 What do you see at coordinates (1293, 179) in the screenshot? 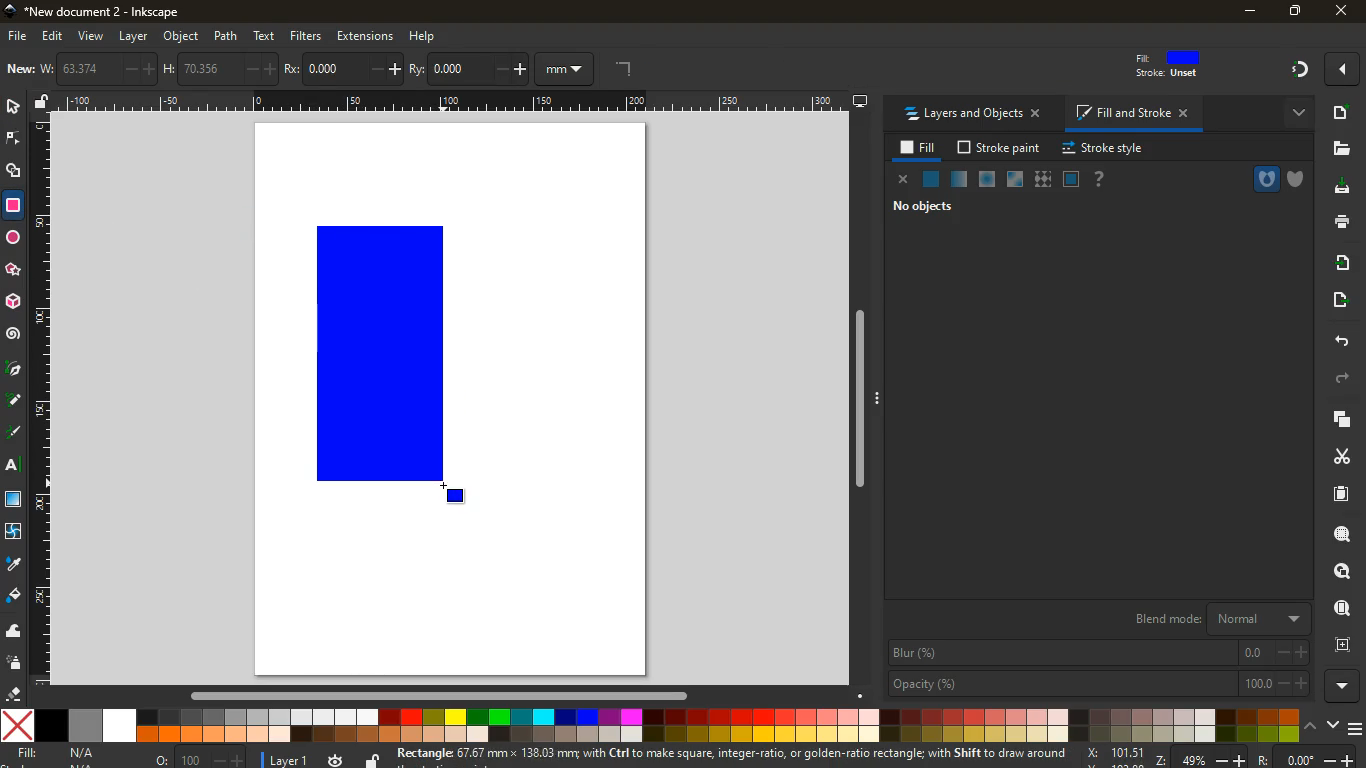
I see `shield` at bounding box center [1293, 179].